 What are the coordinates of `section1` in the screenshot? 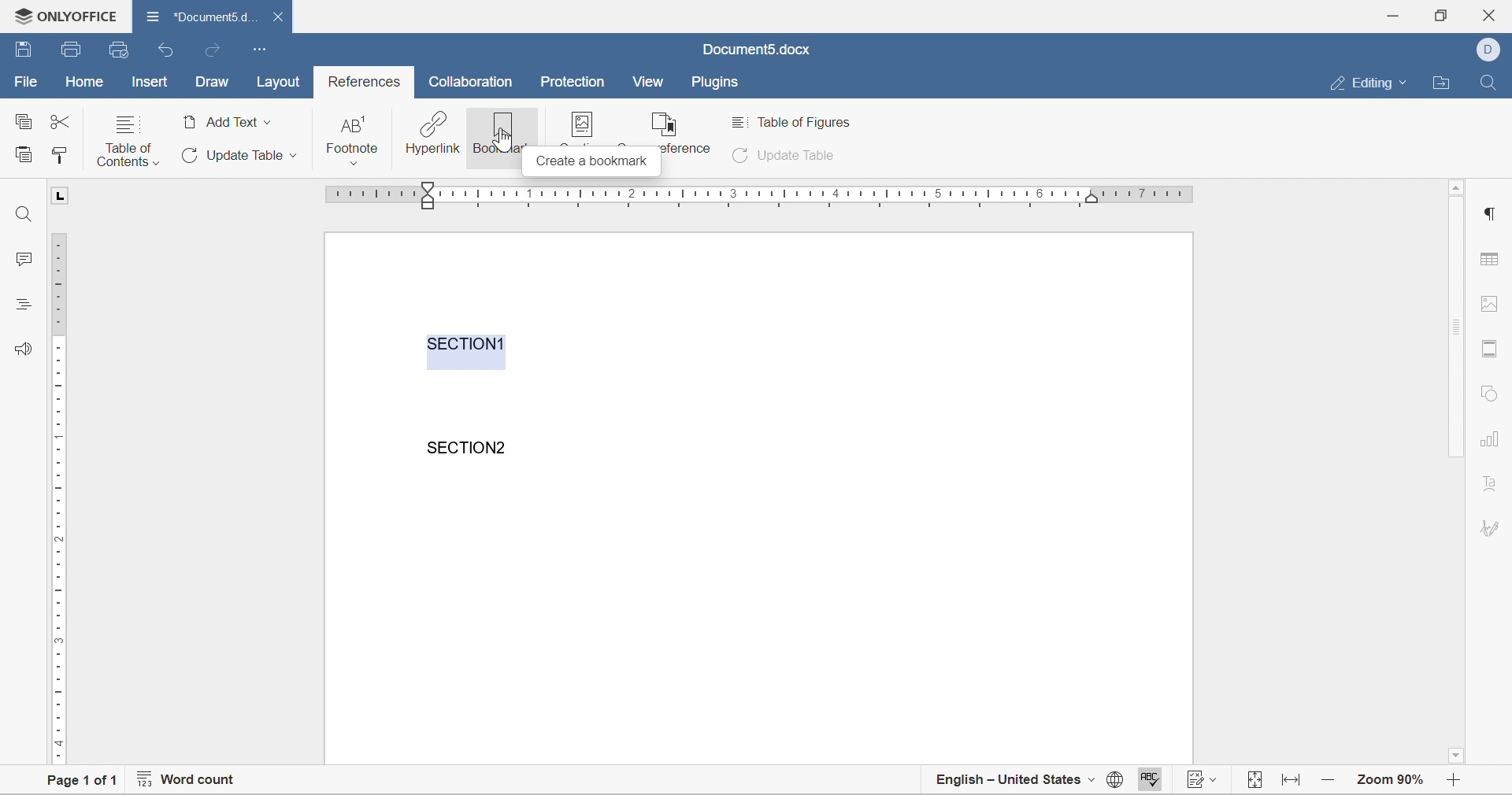 It's located at (467, 343).